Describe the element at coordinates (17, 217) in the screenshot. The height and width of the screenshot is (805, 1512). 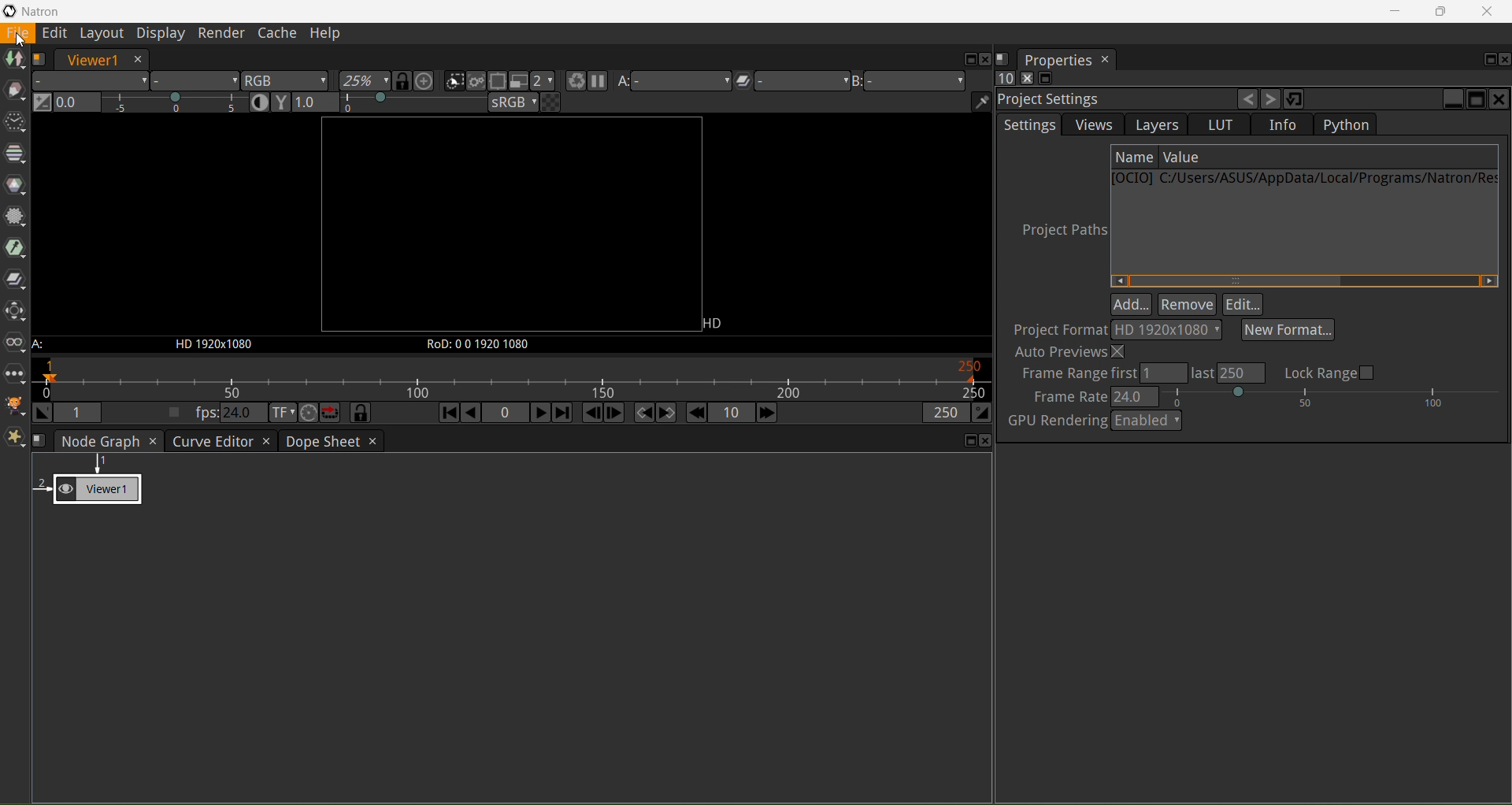
I see `Filter` at that location.